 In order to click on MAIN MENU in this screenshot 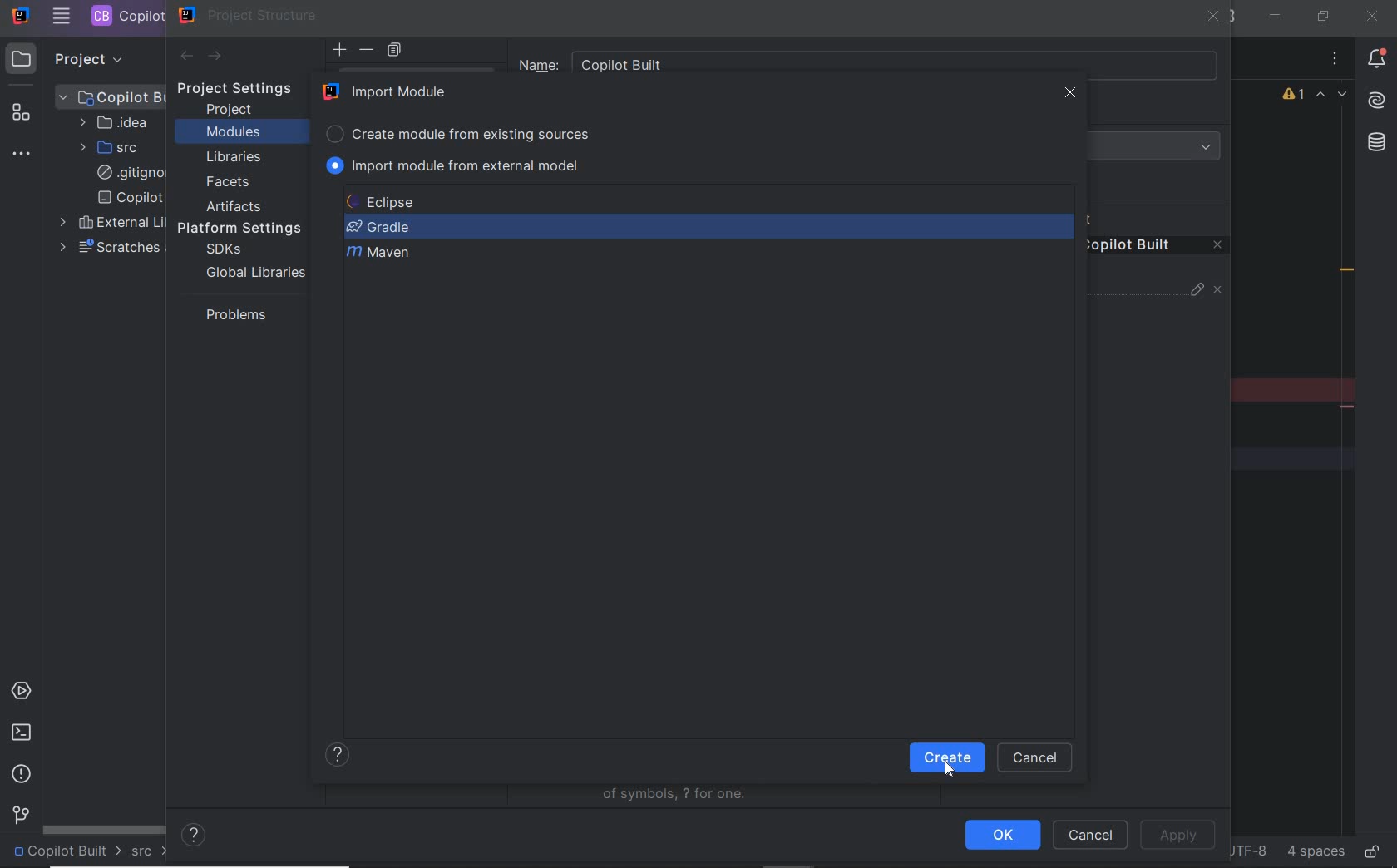, I will do `click(61, 17)`.